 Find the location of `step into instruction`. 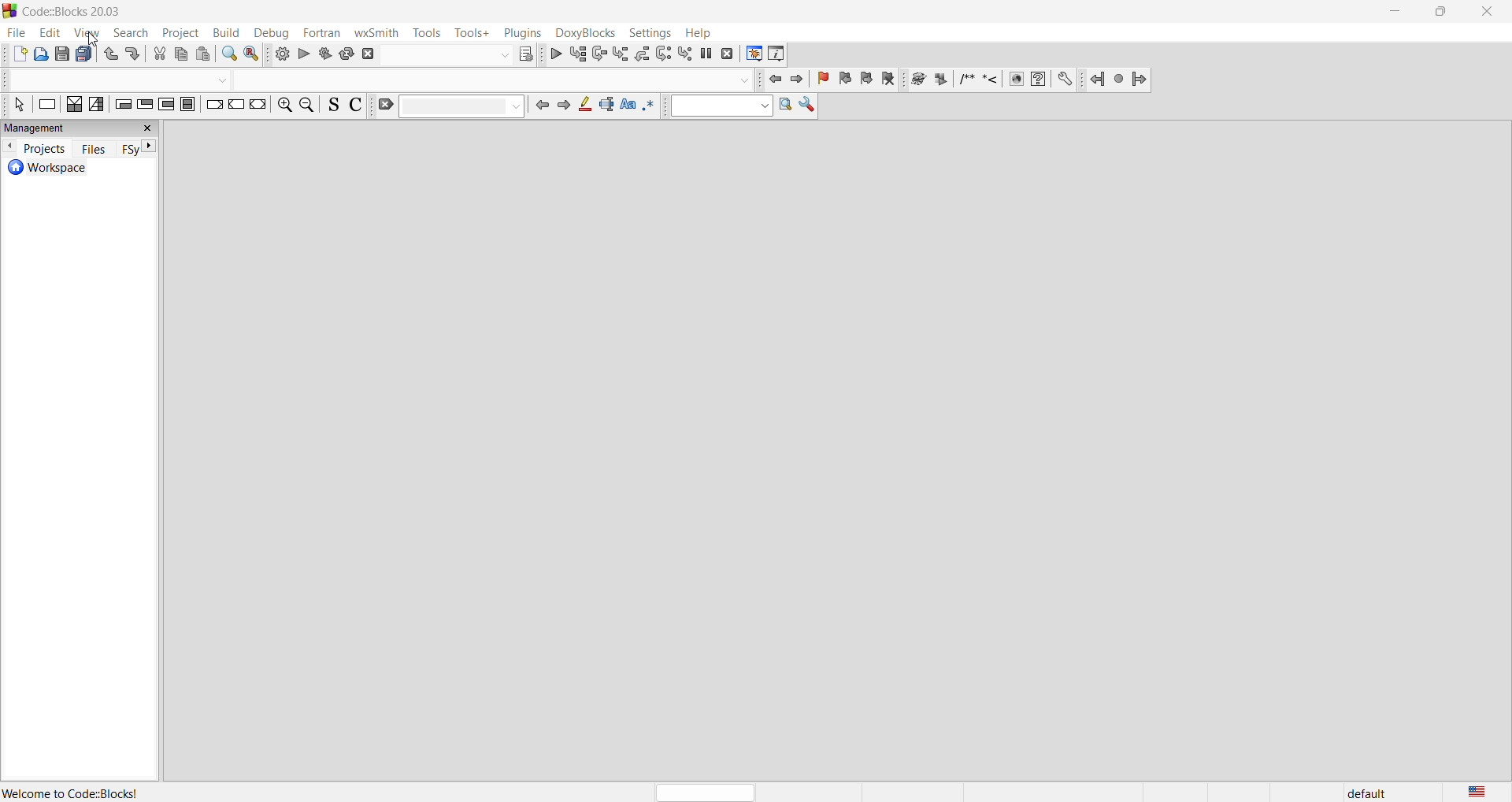

step into instruction is located at coordinates (685, 55).